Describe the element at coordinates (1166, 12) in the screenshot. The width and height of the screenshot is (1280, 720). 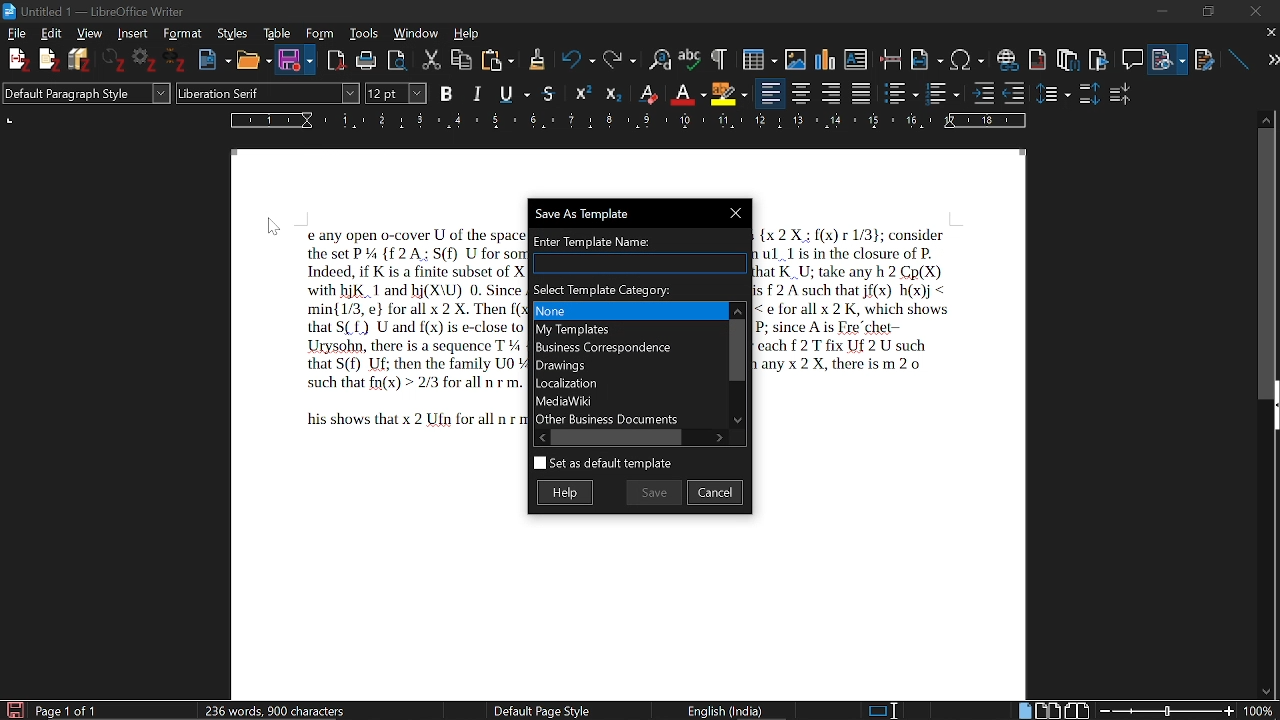
I see `minimize` at that location.